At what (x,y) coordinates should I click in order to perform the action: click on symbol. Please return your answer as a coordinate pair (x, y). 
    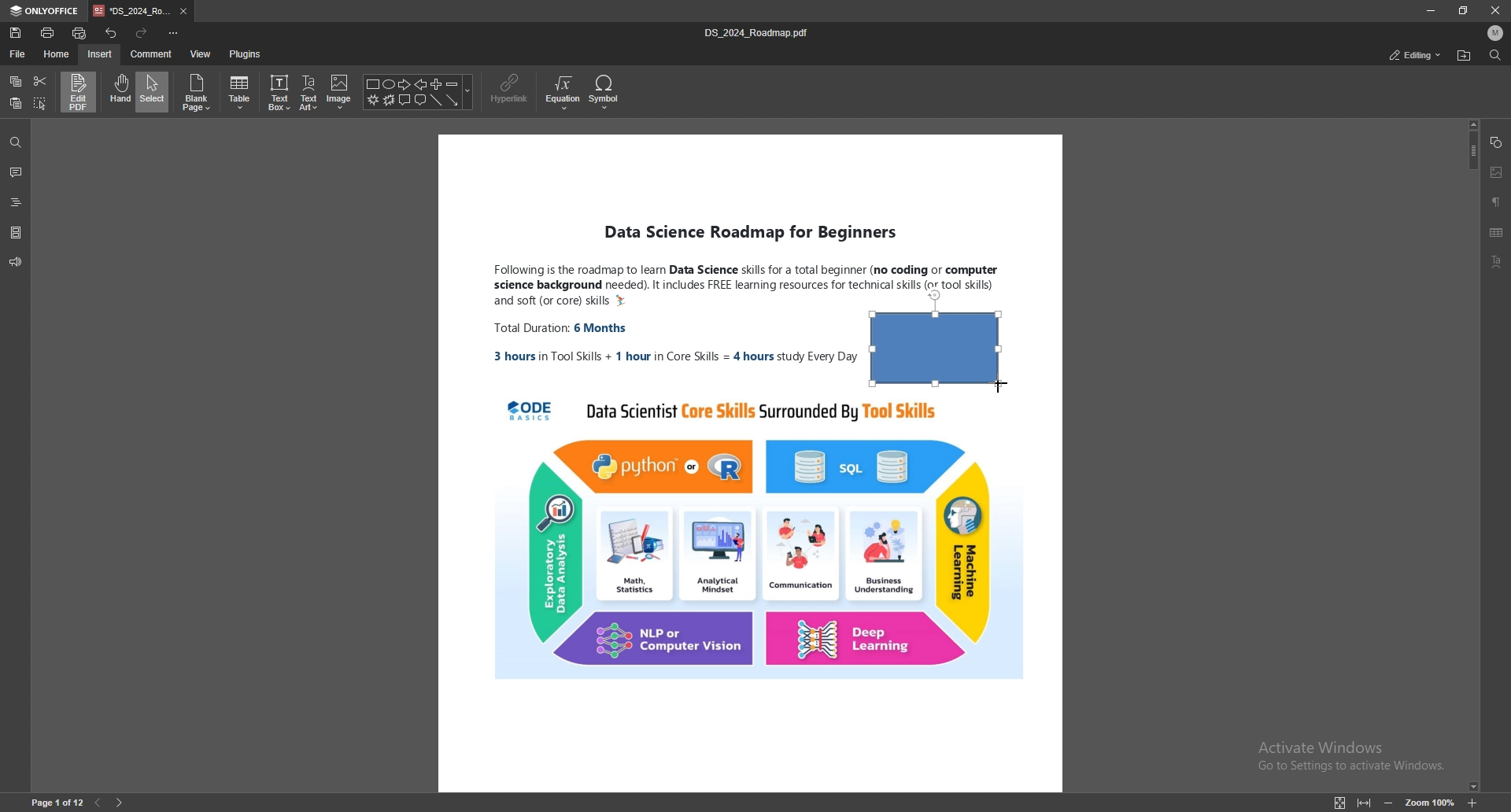
    Looking at the image, I should click on (605, 92).